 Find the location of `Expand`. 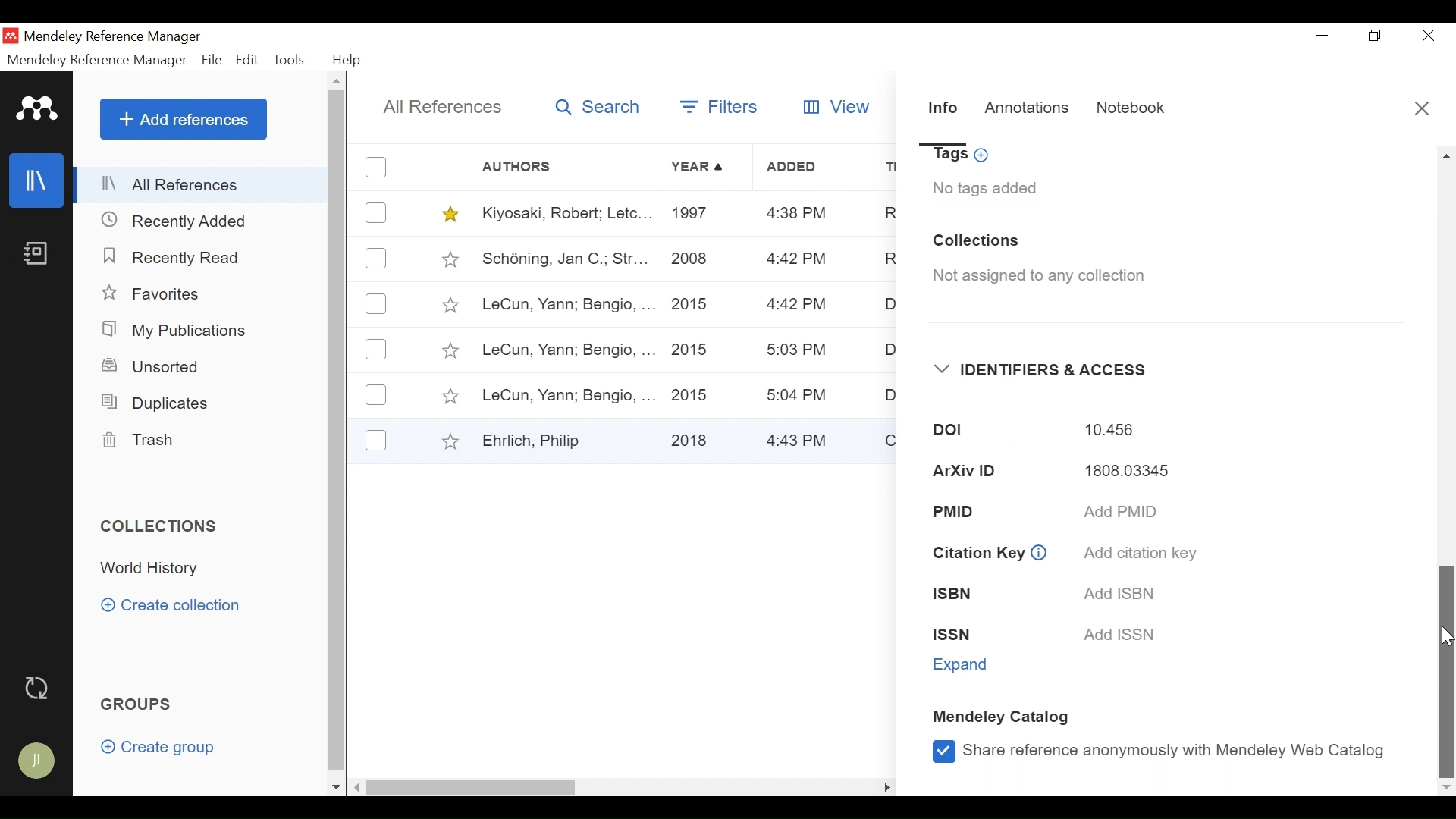

Expand is located at coordinates (964, 665).